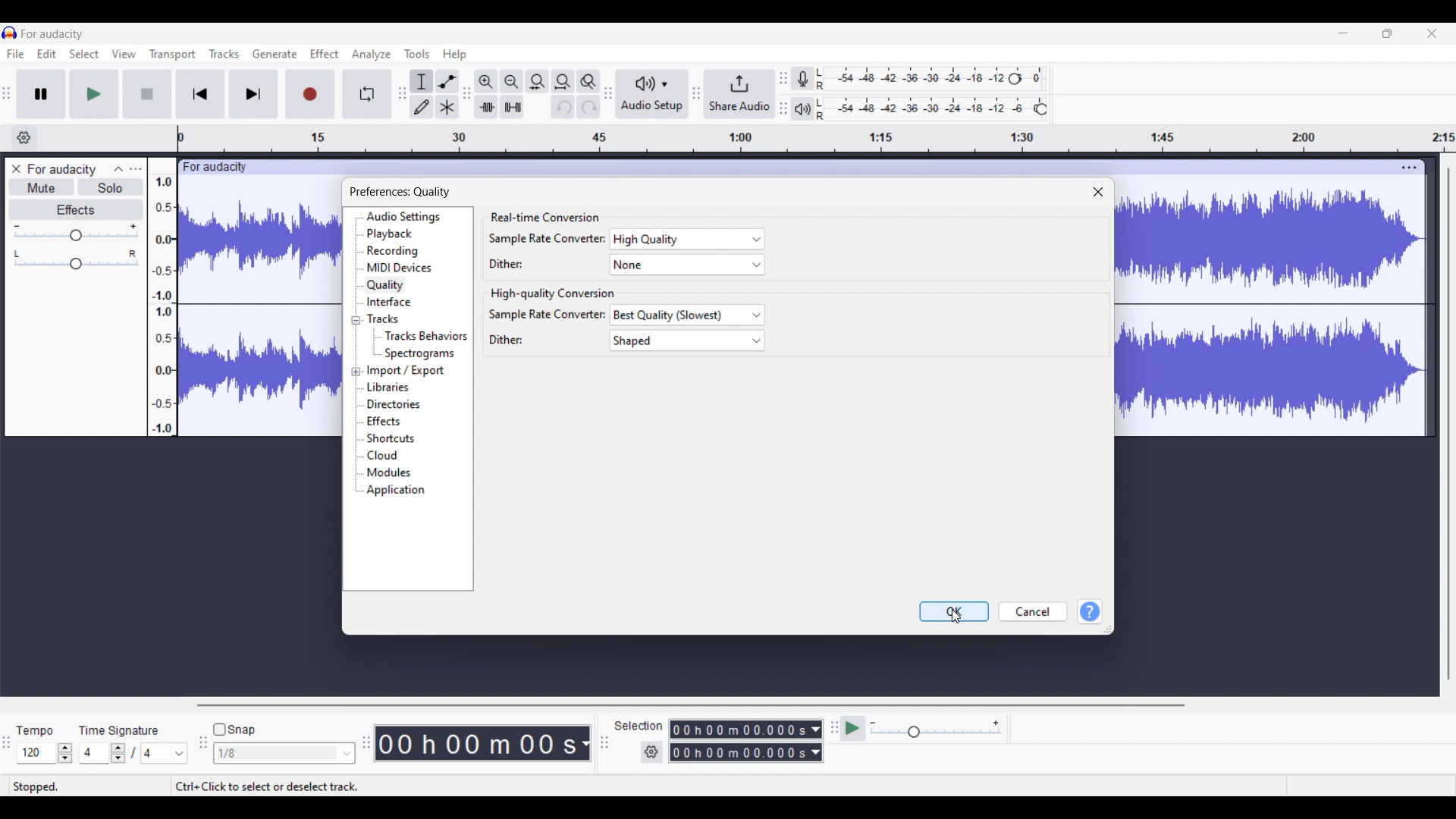 The width and height of the screenshot is (1456, 819). Describe the element at coordinates (691, 318) in the screenshot. I see `best quality (slowest)` at that location.